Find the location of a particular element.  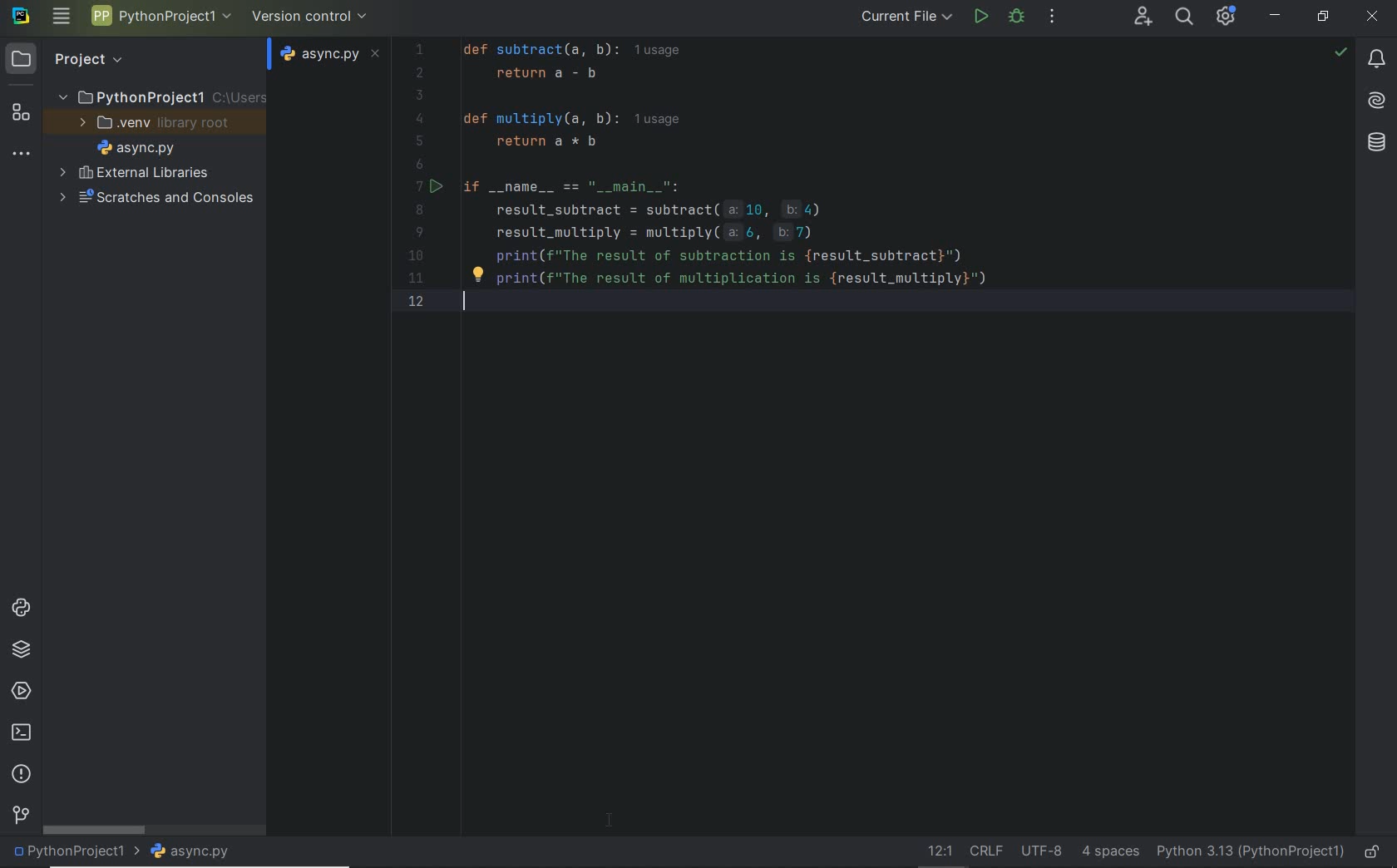

file name is located at coordinates (330, 56).